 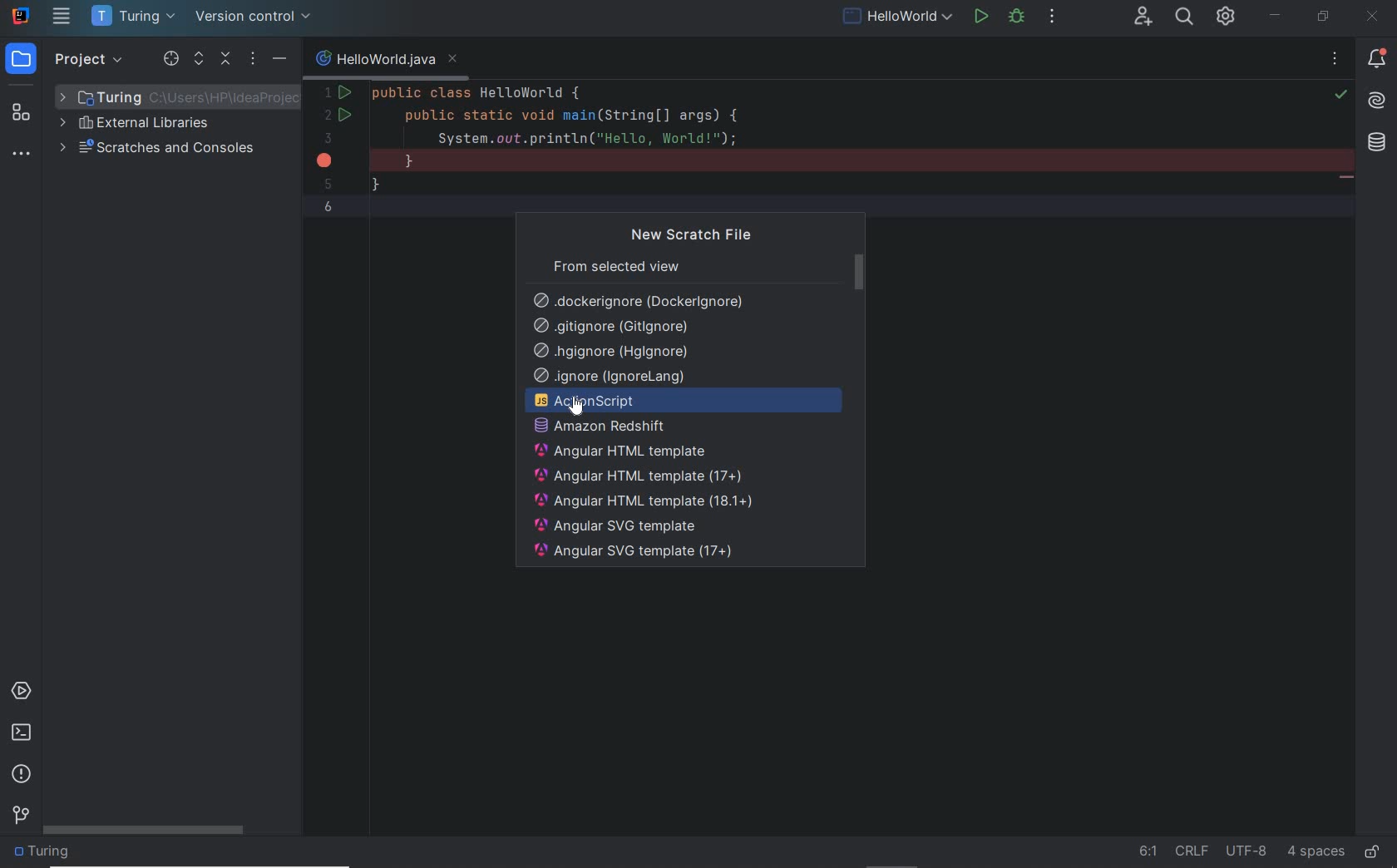 What do you see at coordinates (690, 427) in the screenshot?
I see `amazon redshift` at bounding box center [690, 427].